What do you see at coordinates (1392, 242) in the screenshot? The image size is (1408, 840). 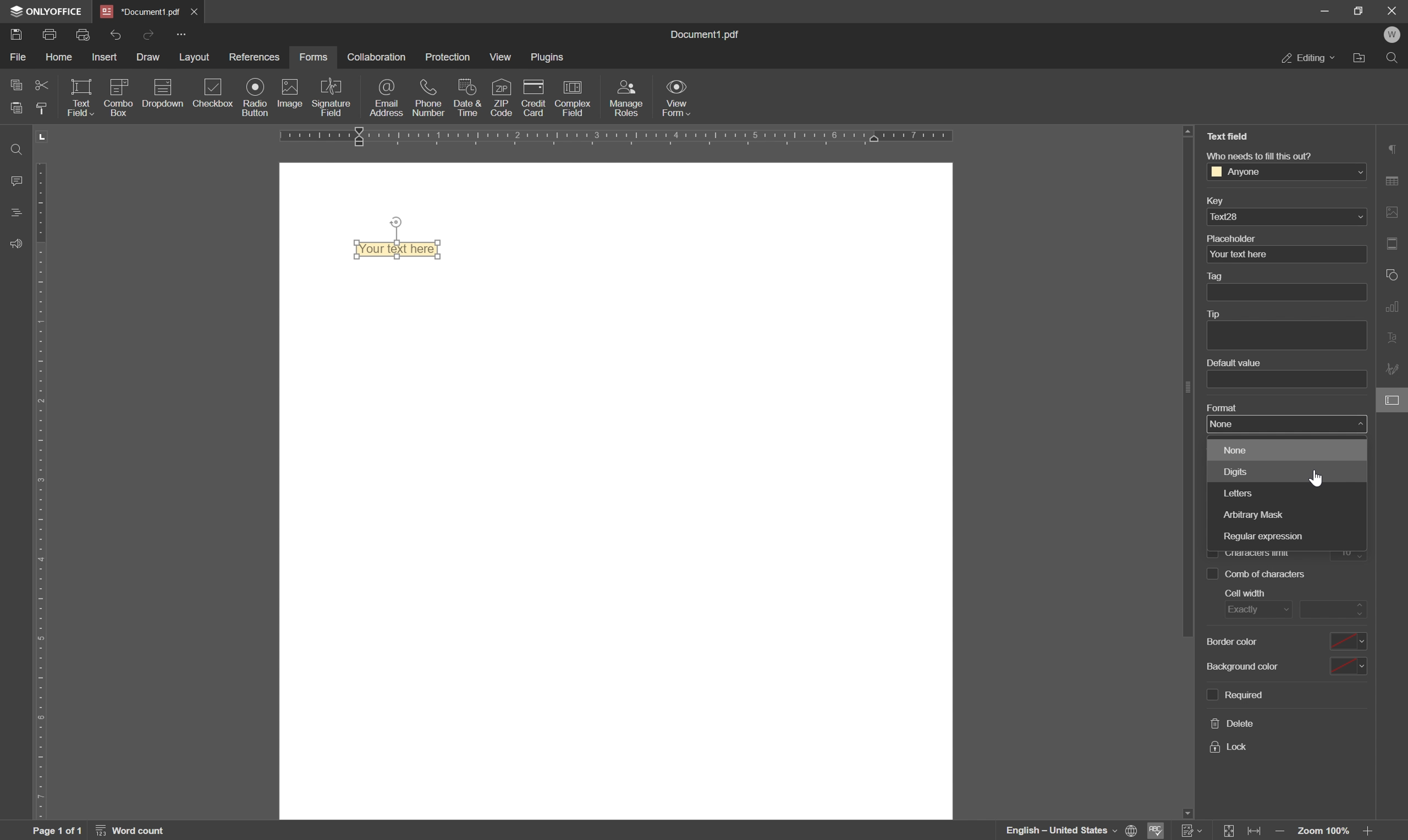 I see `header and footer settings` at bounding box center [1392, 242].